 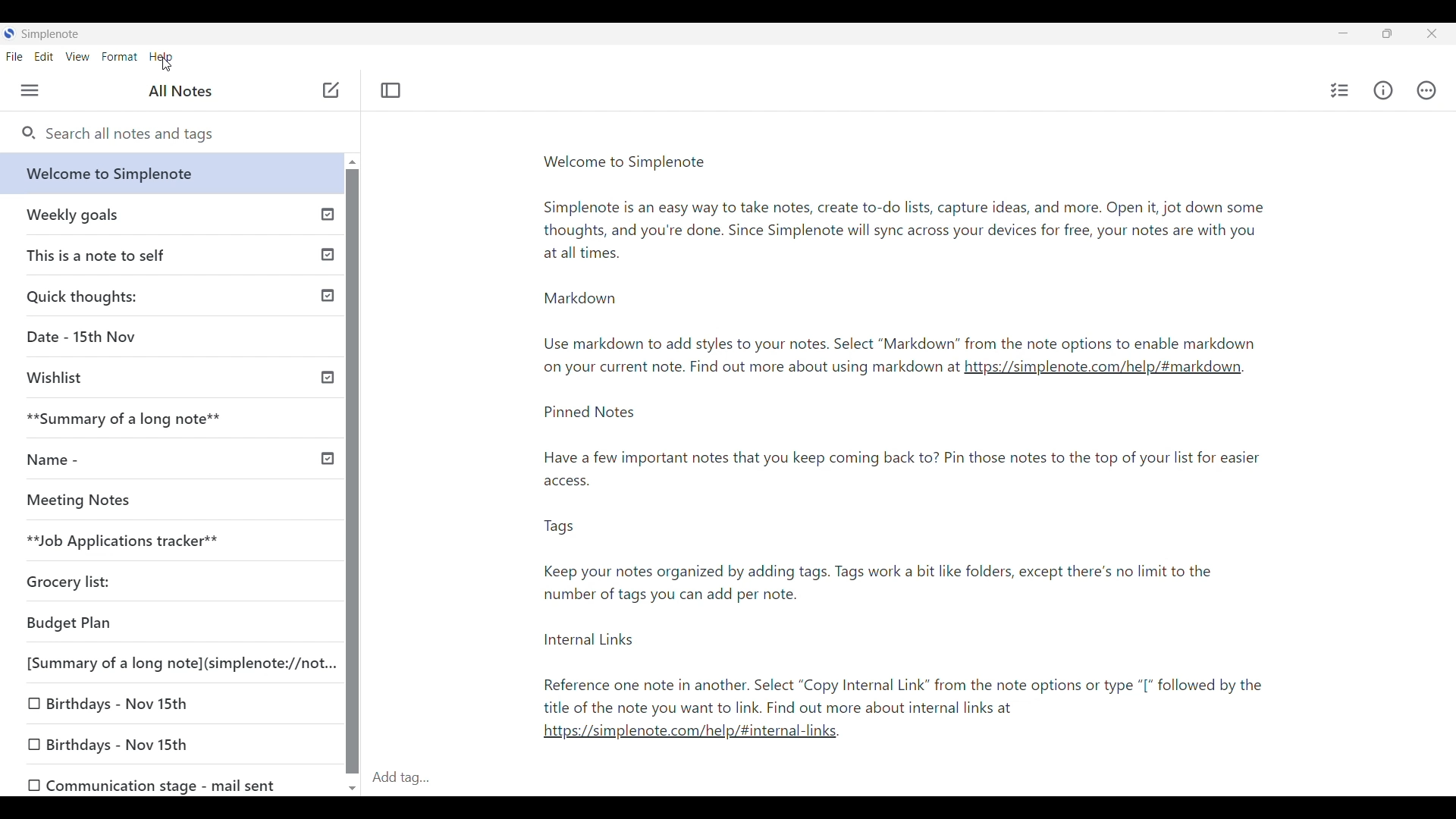 What do you see at coordinates (353, 162) in the screenshot?
I see `Quick slide to top` at bounding box center [353, 162].